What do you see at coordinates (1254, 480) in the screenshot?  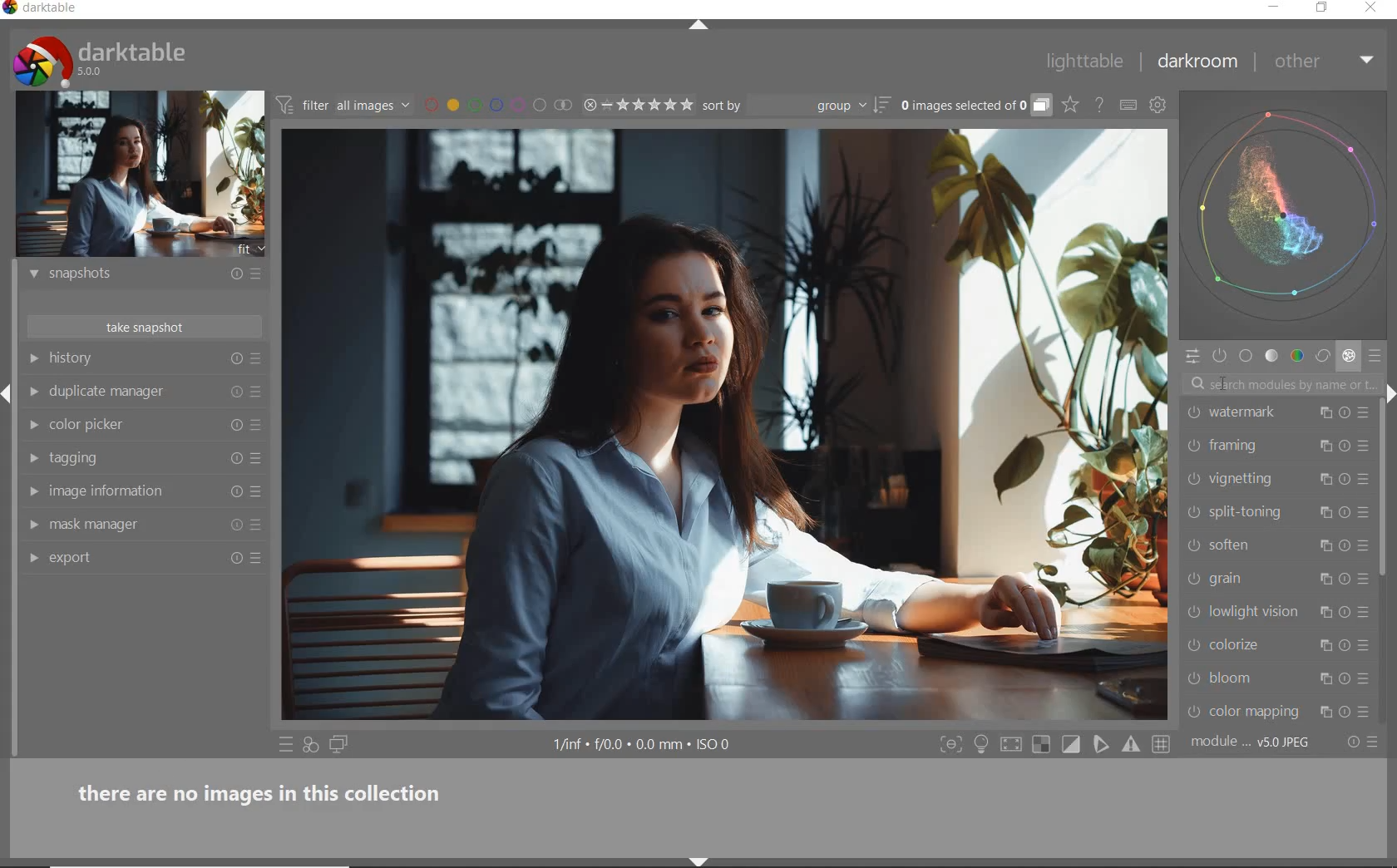 I see `vignetting` at bounding box center [1254, 480].